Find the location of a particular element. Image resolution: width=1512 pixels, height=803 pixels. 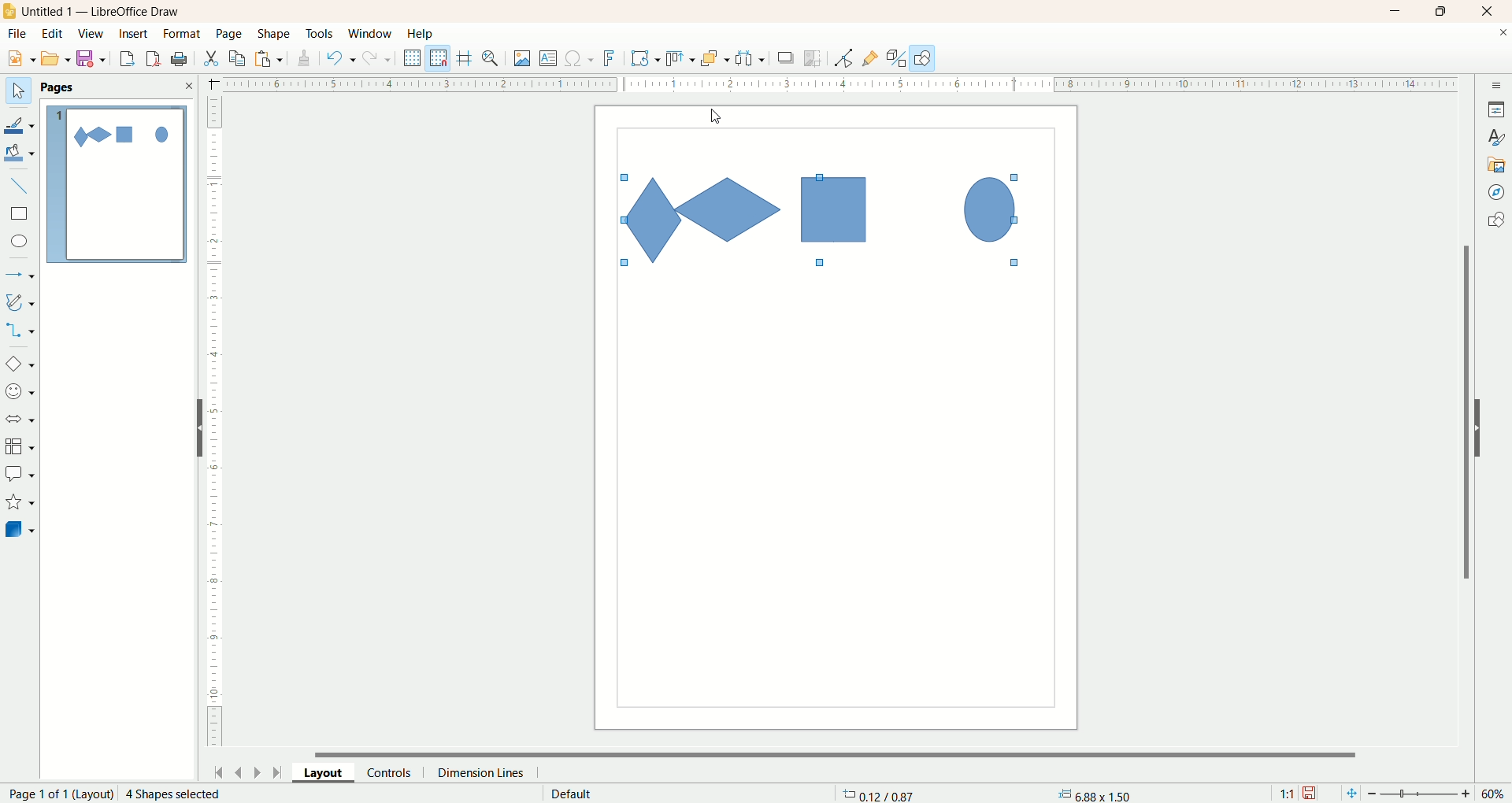

block arrow is located at coordinates (23, 420).